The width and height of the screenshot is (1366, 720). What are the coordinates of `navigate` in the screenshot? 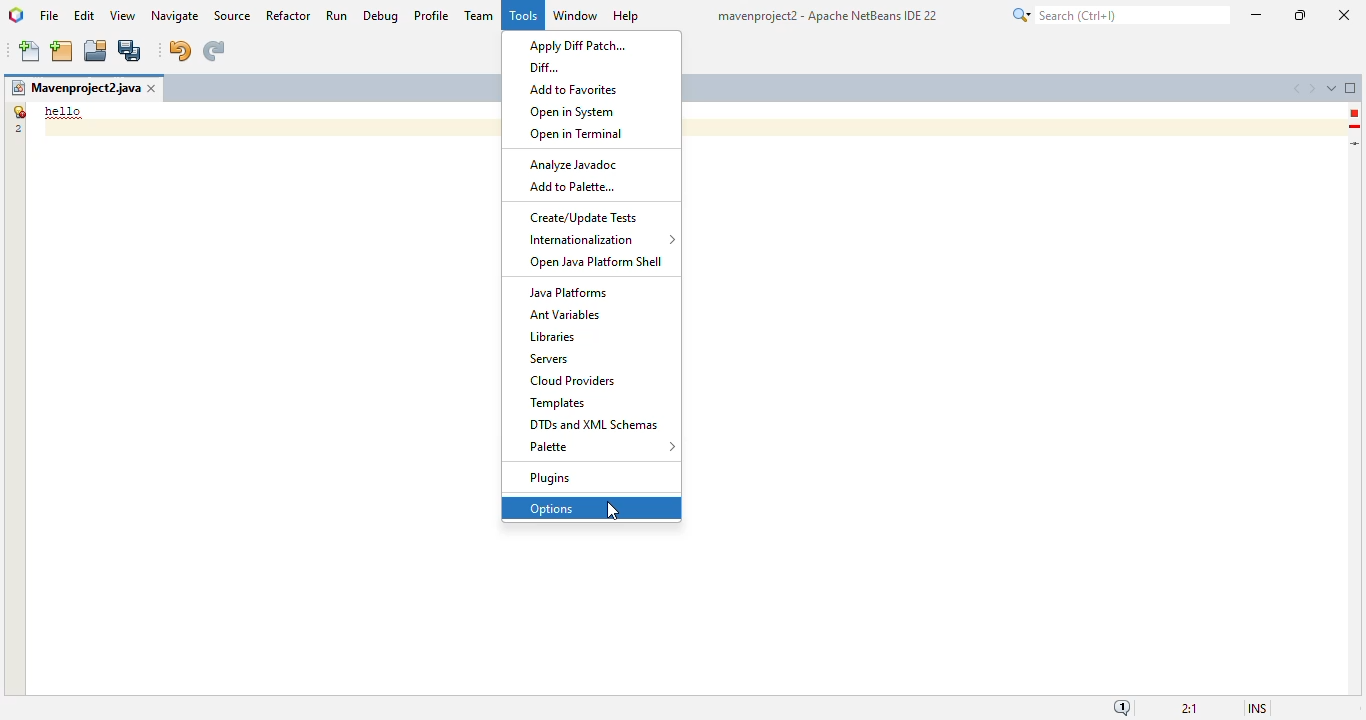 It's located at (176, 16).